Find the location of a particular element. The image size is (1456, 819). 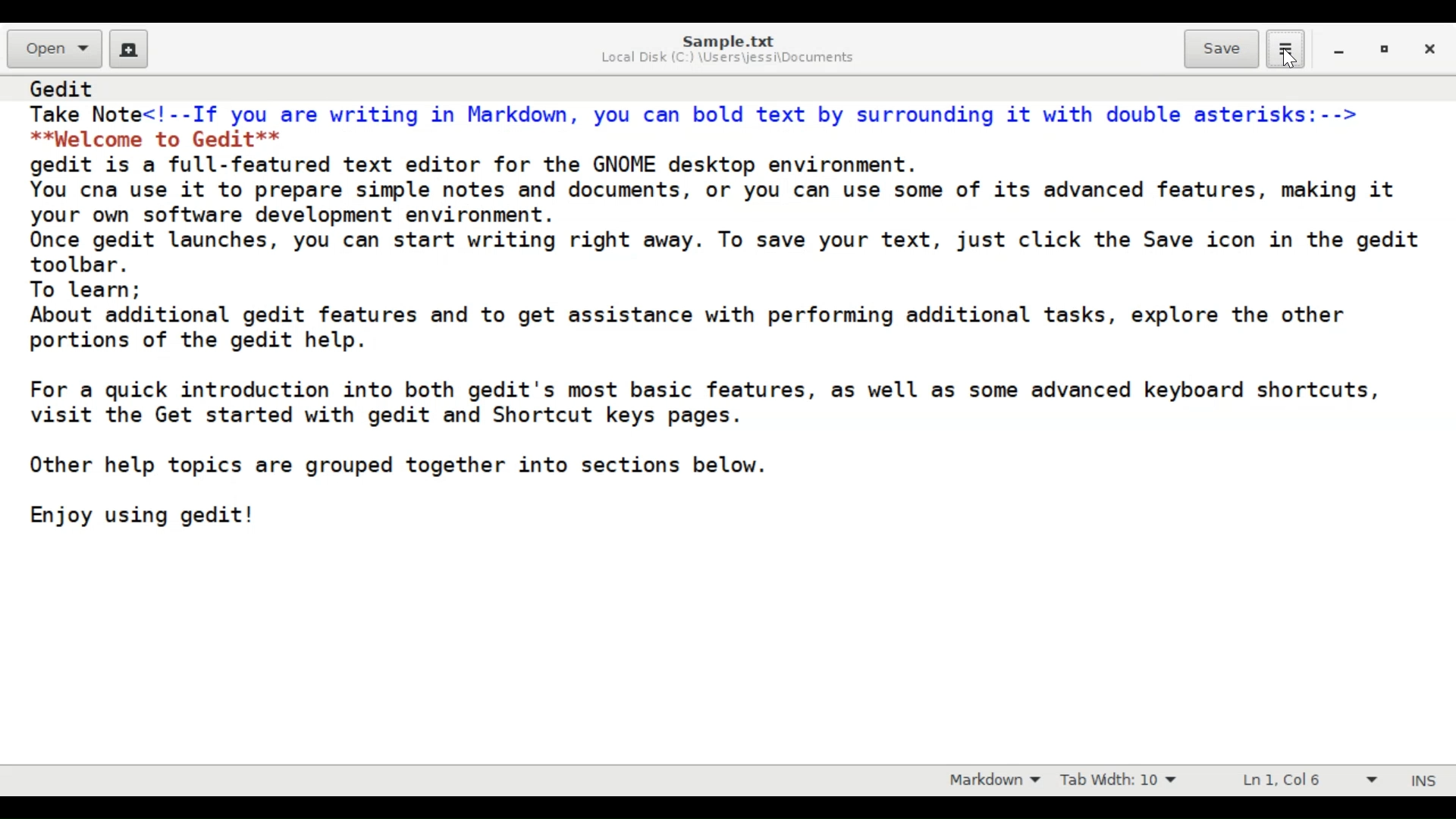

Local Disk (C:) \Users\jessi\Documents is located at coordinates (728, 59).